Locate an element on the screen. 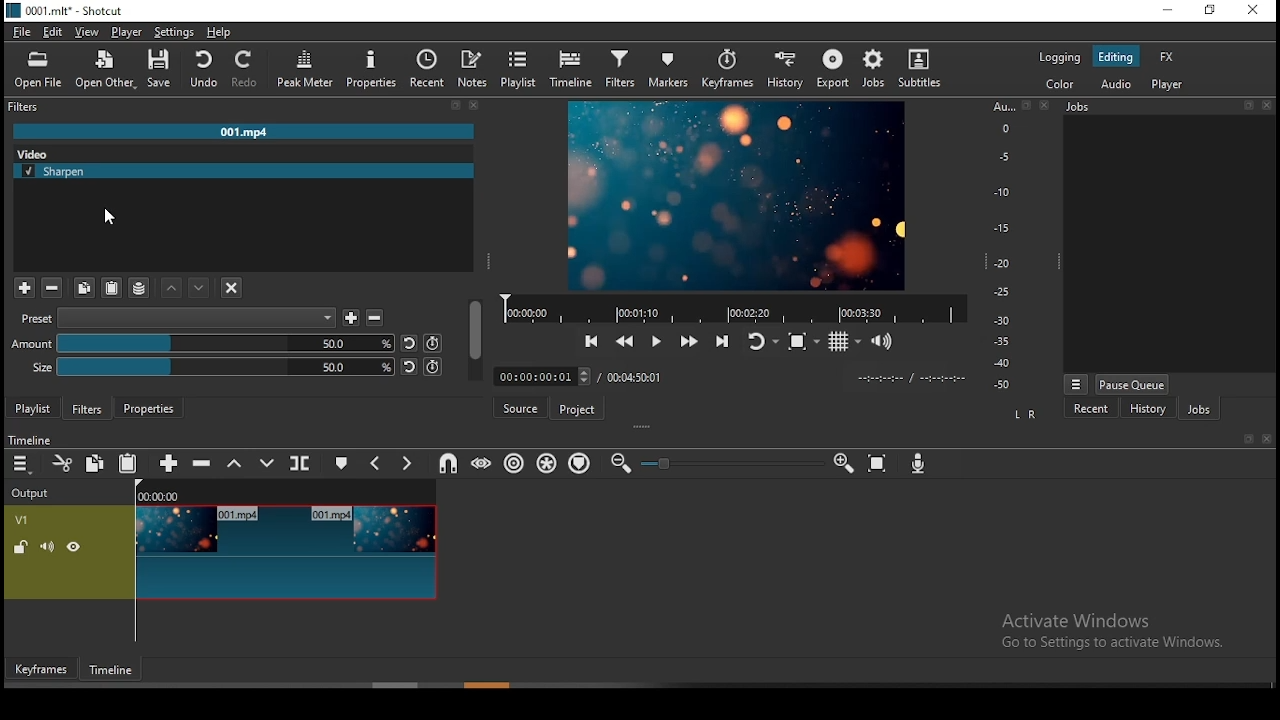 The width and height of the screenshot is (1280, 720). L R is located at coordinates (1026, 413).